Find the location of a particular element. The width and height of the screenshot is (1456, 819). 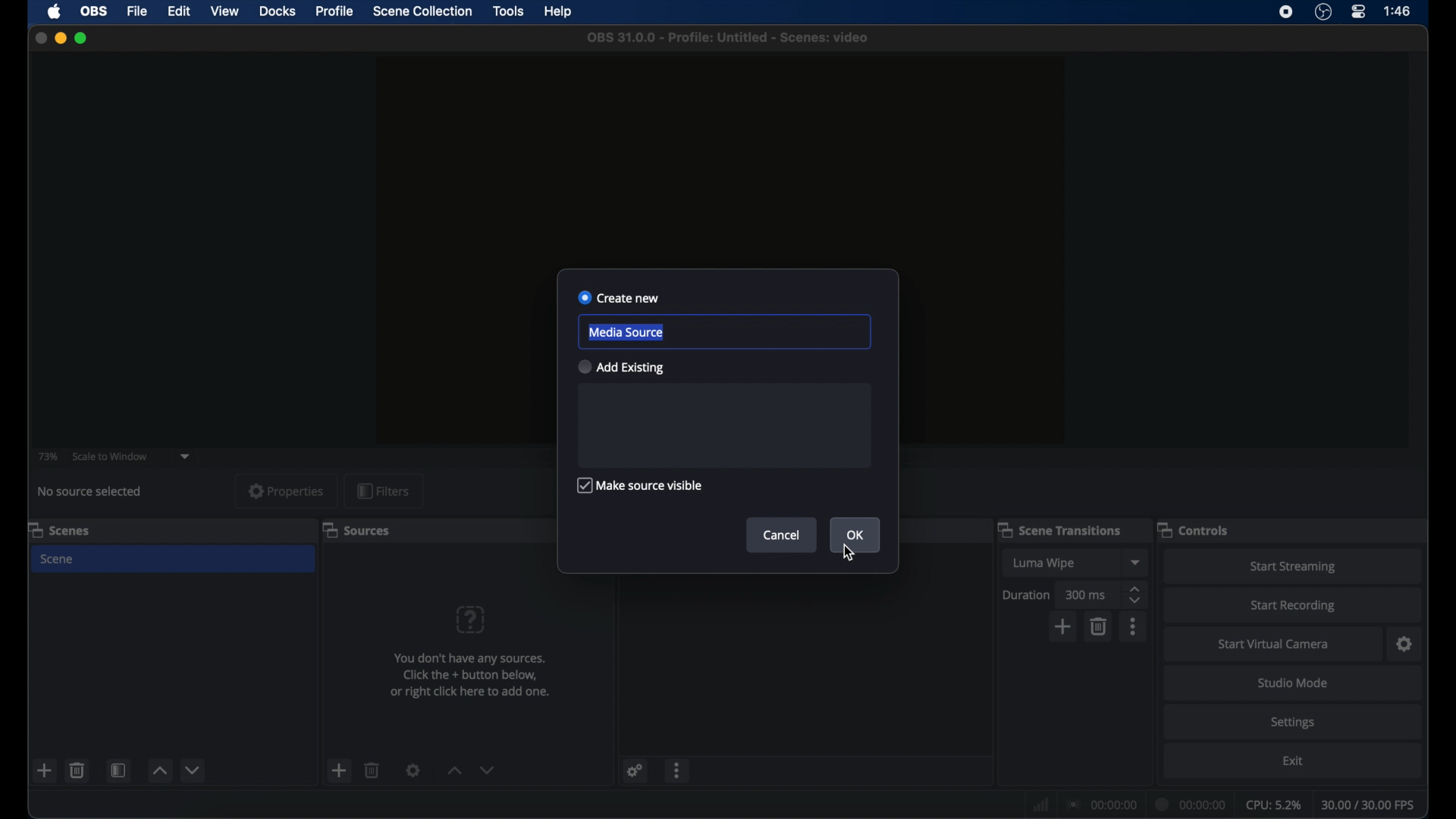

cpu is located at coordinates (1274, 805).